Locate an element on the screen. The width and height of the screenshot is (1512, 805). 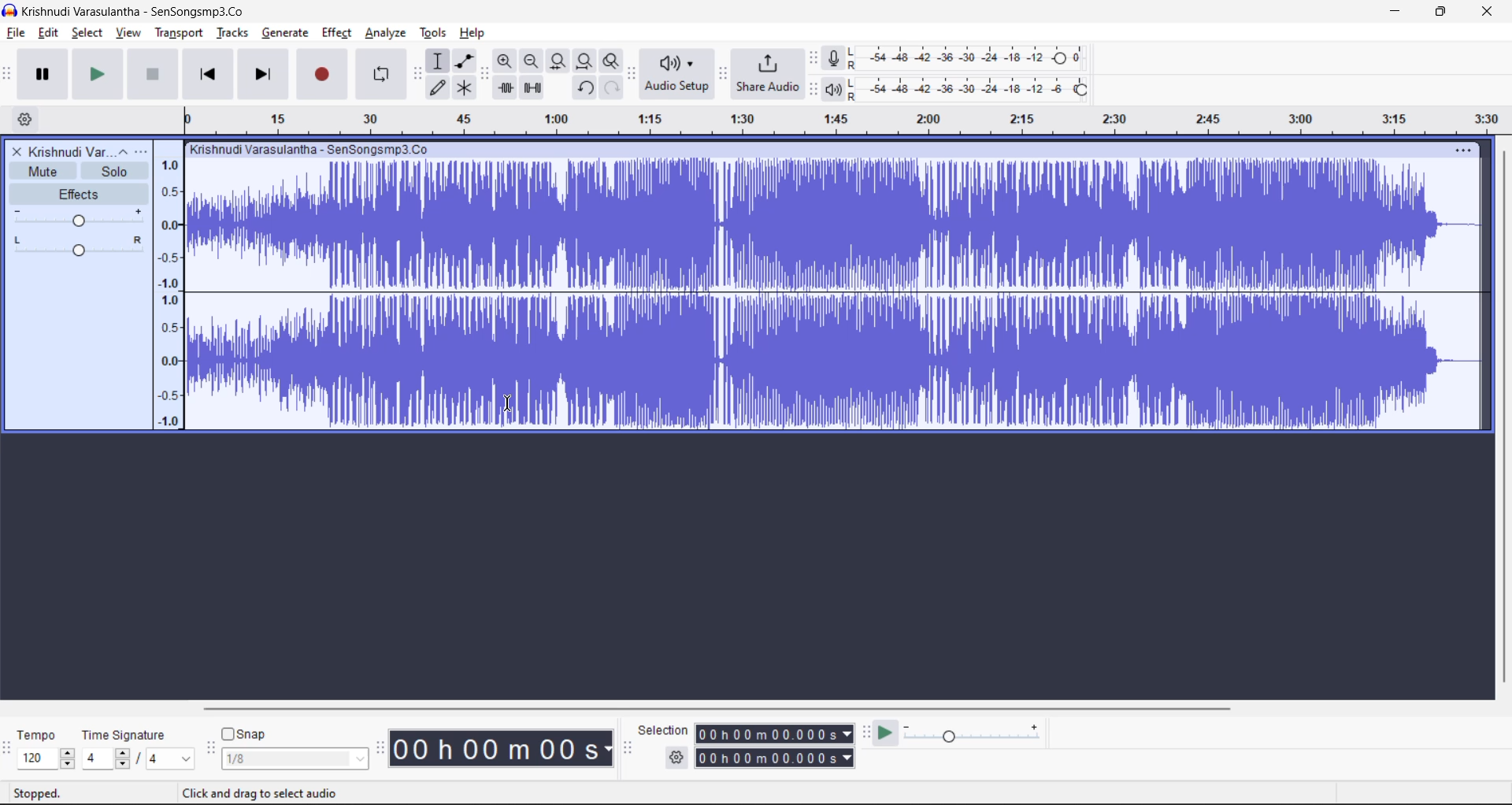
snapping tool bar is located at coordinates (209, 750).